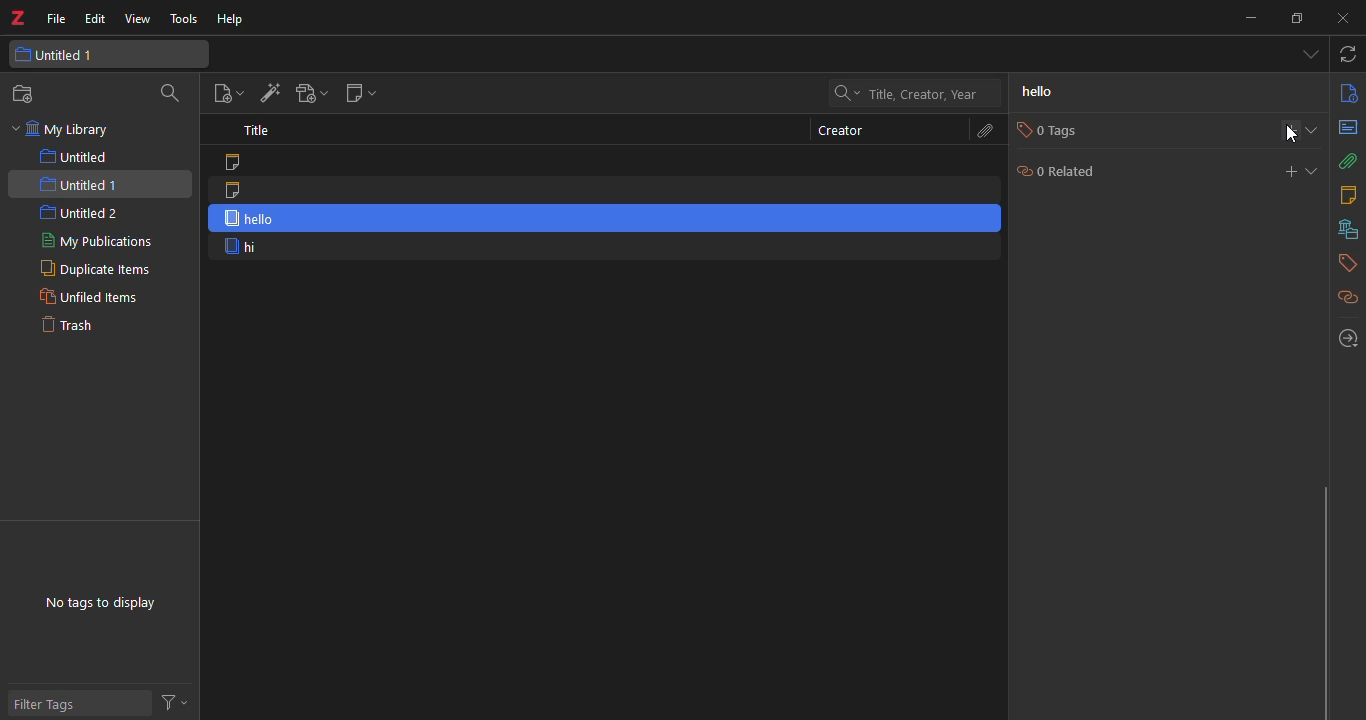  I want to click on info, so click(1346, 94).